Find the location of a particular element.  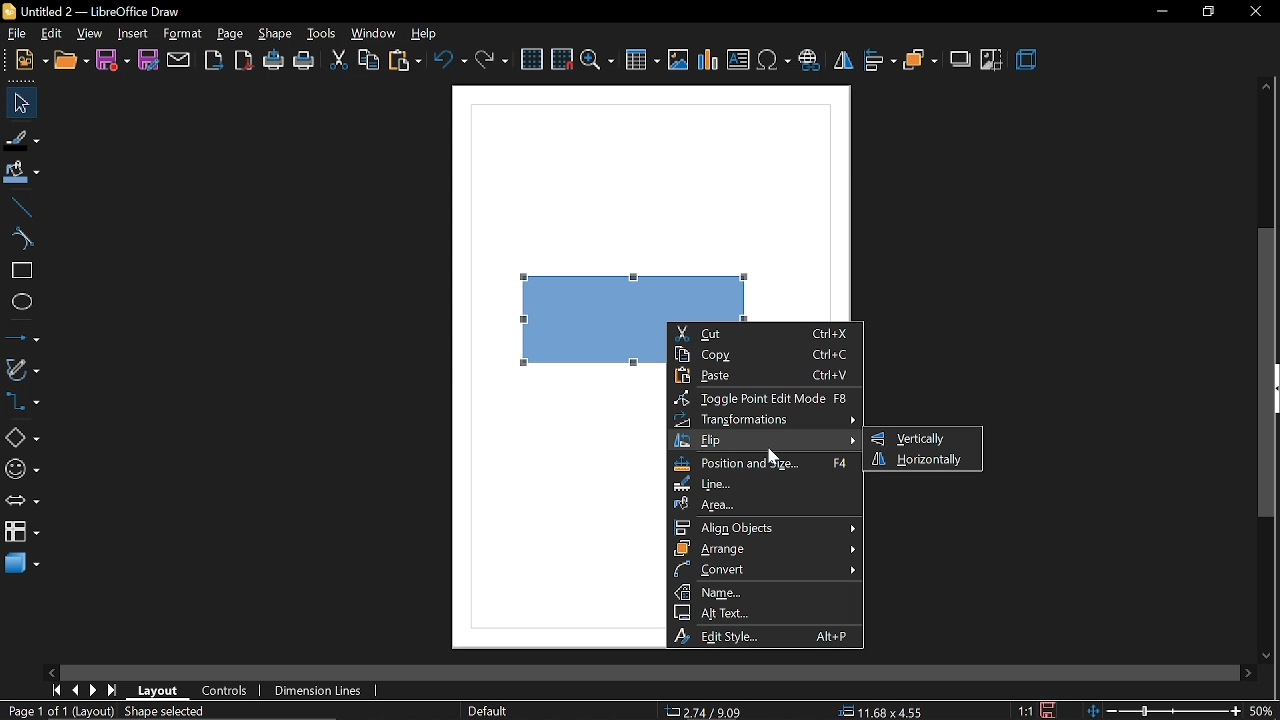

snap to grid is located at coordinates (561, 59).